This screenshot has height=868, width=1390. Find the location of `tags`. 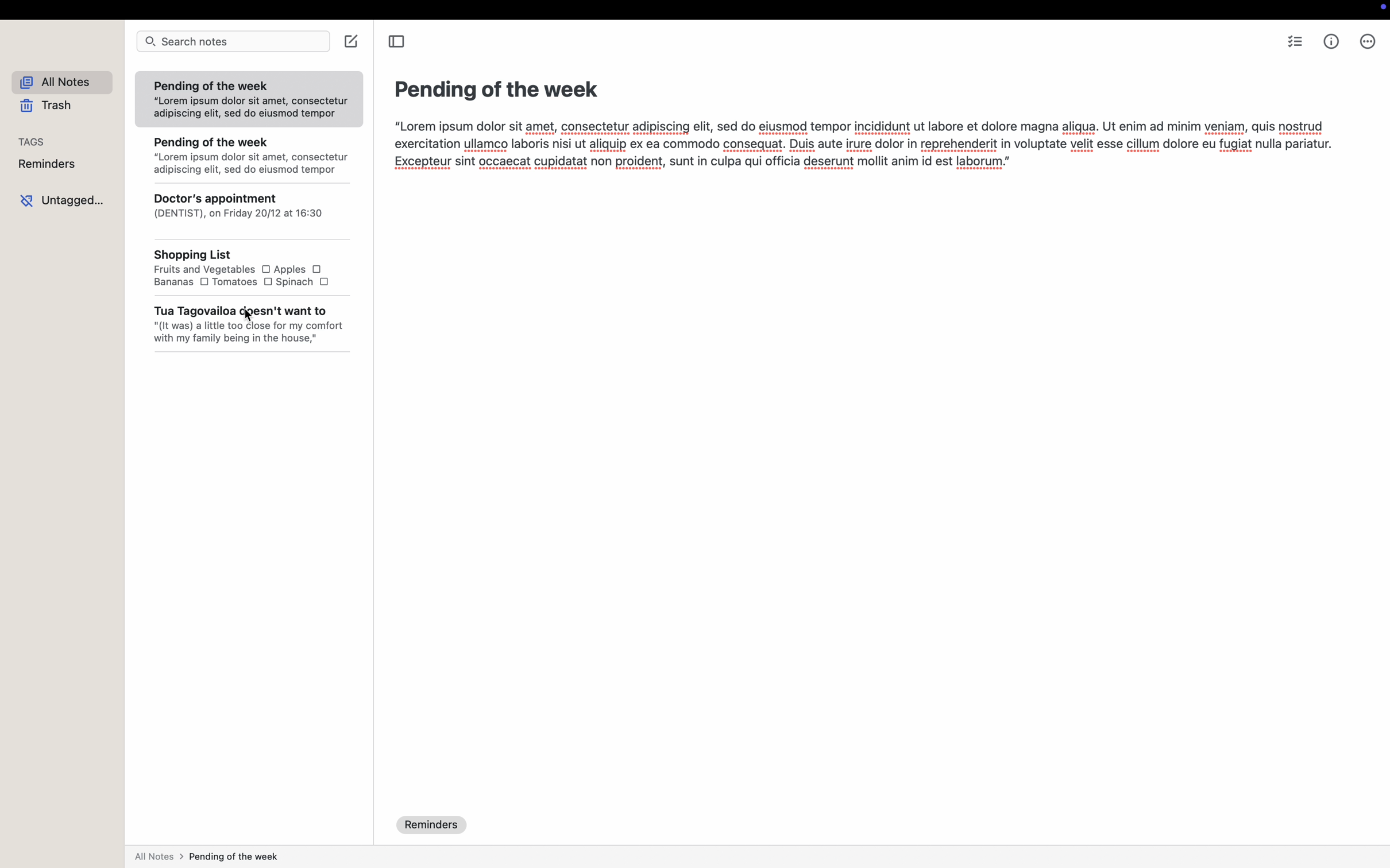

tags is located at coordinates (36, 141).